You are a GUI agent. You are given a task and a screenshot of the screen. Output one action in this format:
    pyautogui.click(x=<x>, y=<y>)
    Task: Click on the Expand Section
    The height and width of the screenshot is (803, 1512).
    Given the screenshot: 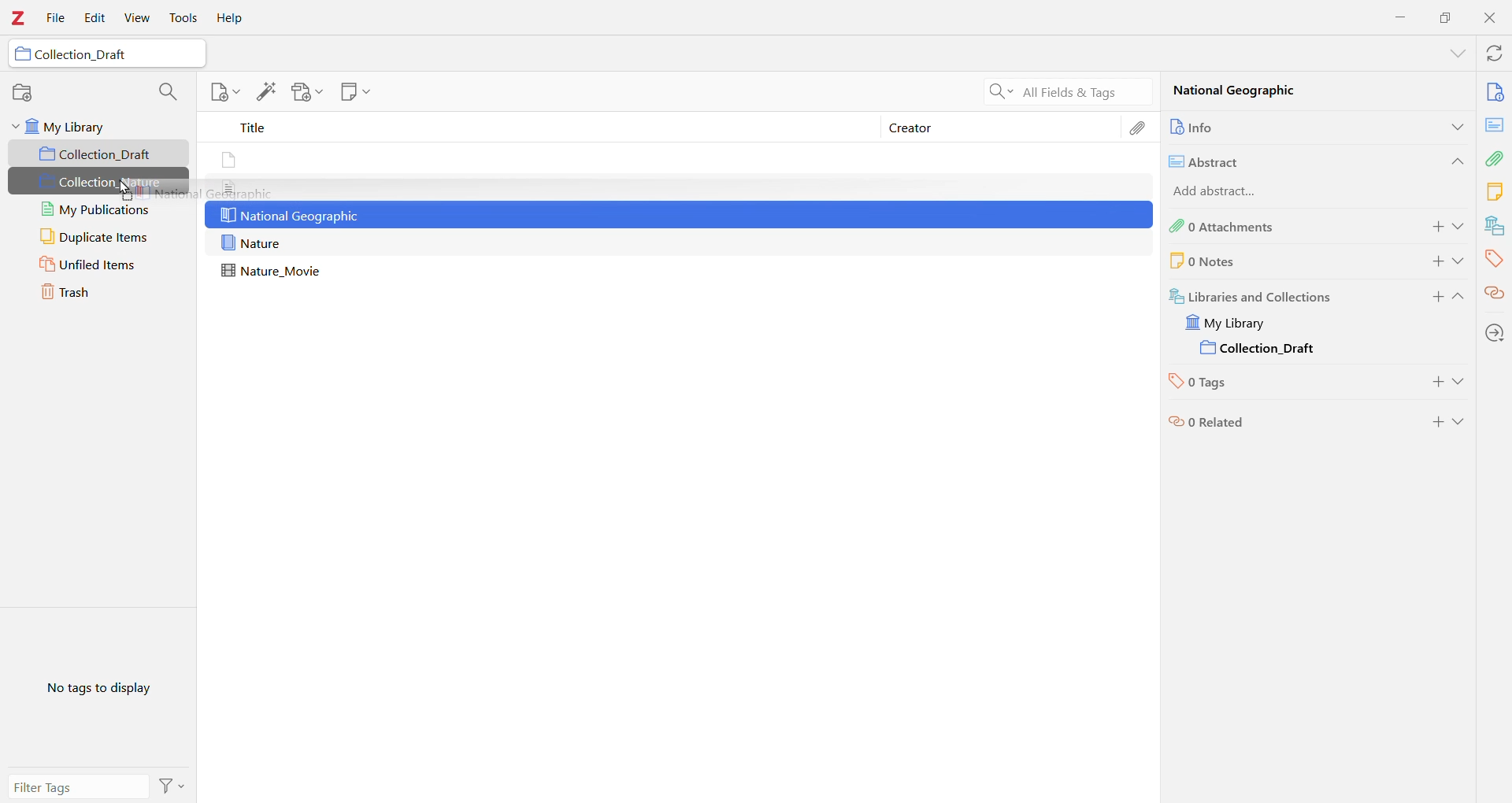 What is the action you would take?
    pyautogui.click(x=1461, y=422)
    